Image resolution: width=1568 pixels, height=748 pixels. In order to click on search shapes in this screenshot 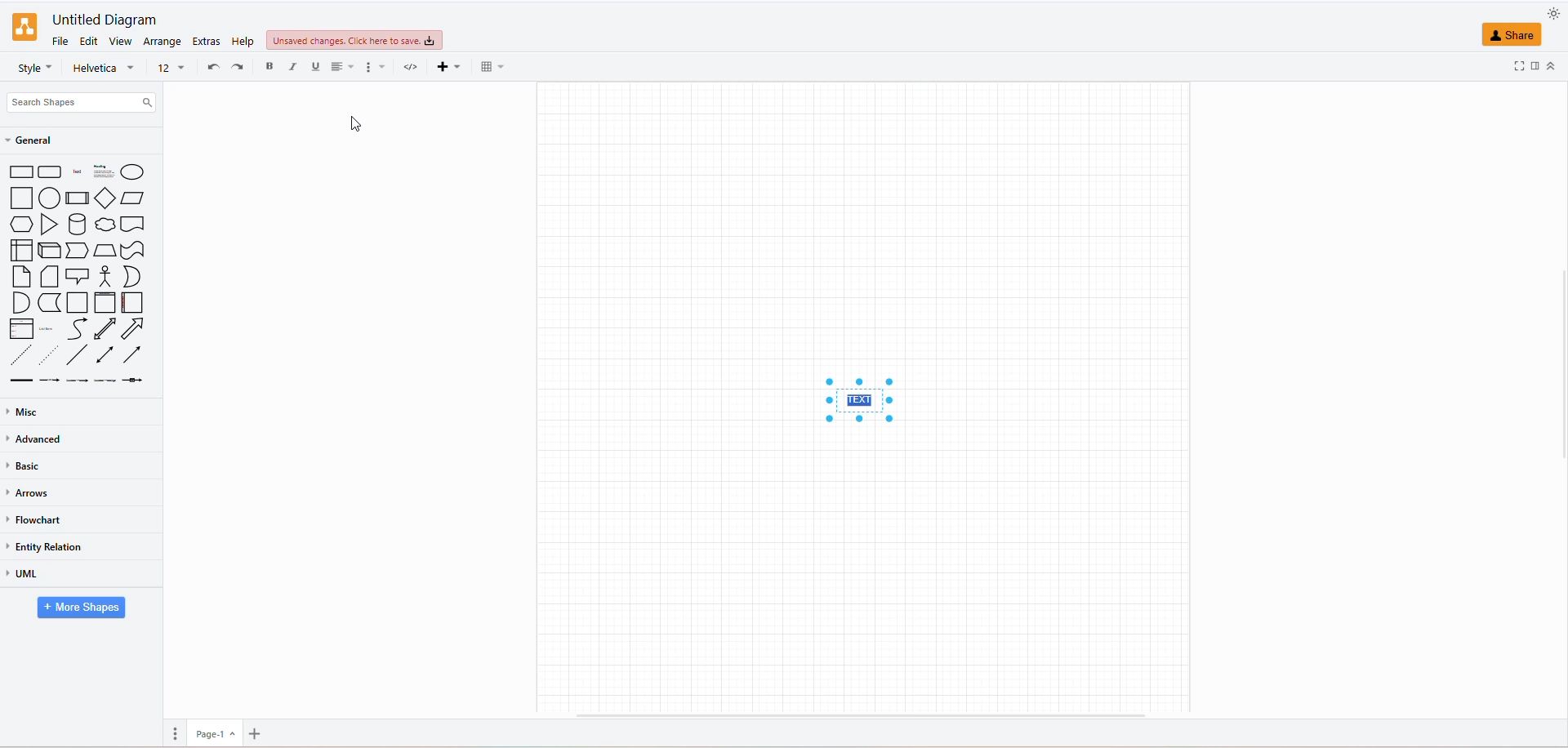, I will do `click(82, 101)`.